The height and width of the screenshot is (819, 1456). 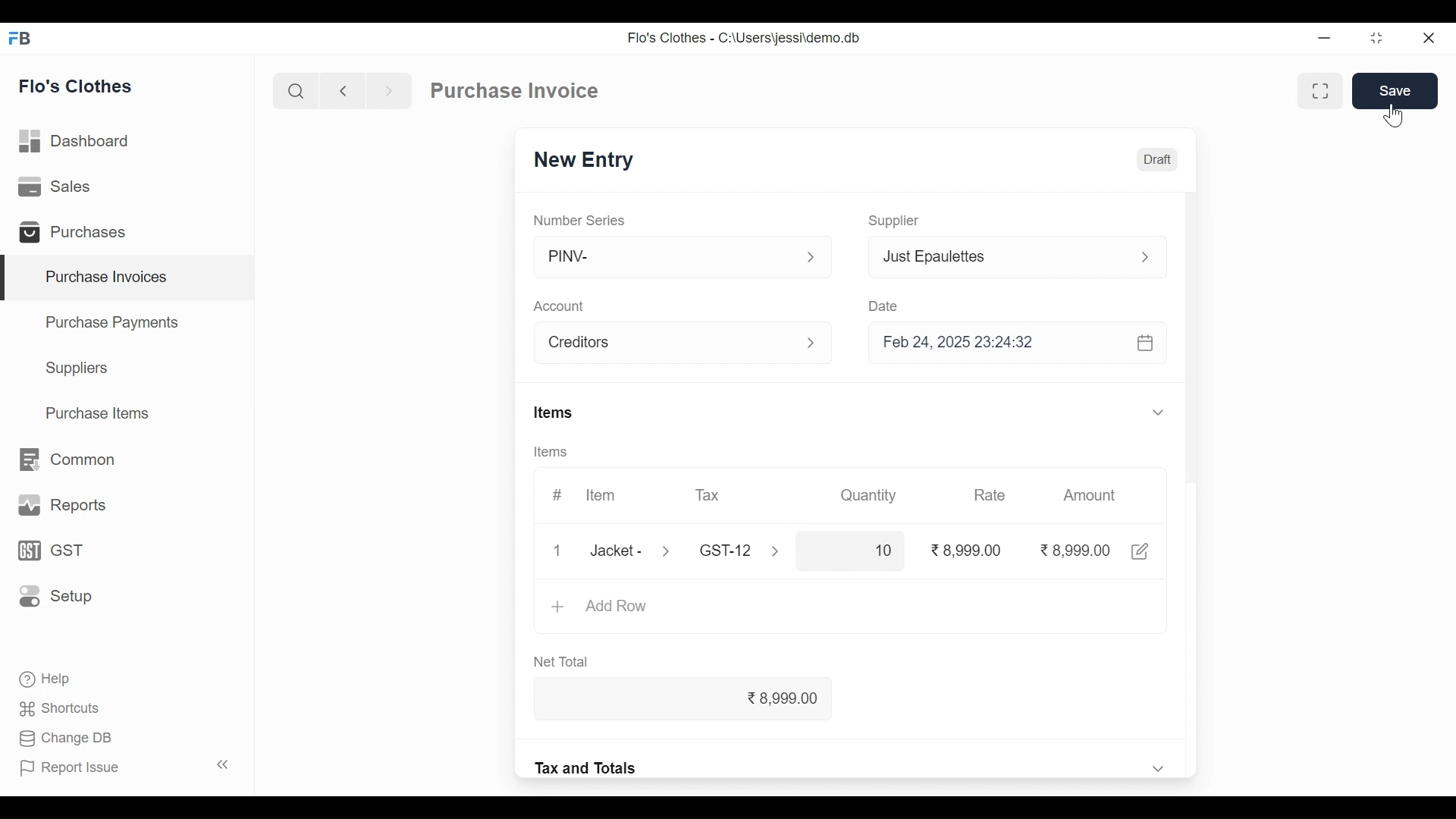 What do you see at coordinates (746, 36) in the screenshot?
I see `Flo's Clothes - C:\Users\jessi\demo.db` at bounding box center [746, 36].